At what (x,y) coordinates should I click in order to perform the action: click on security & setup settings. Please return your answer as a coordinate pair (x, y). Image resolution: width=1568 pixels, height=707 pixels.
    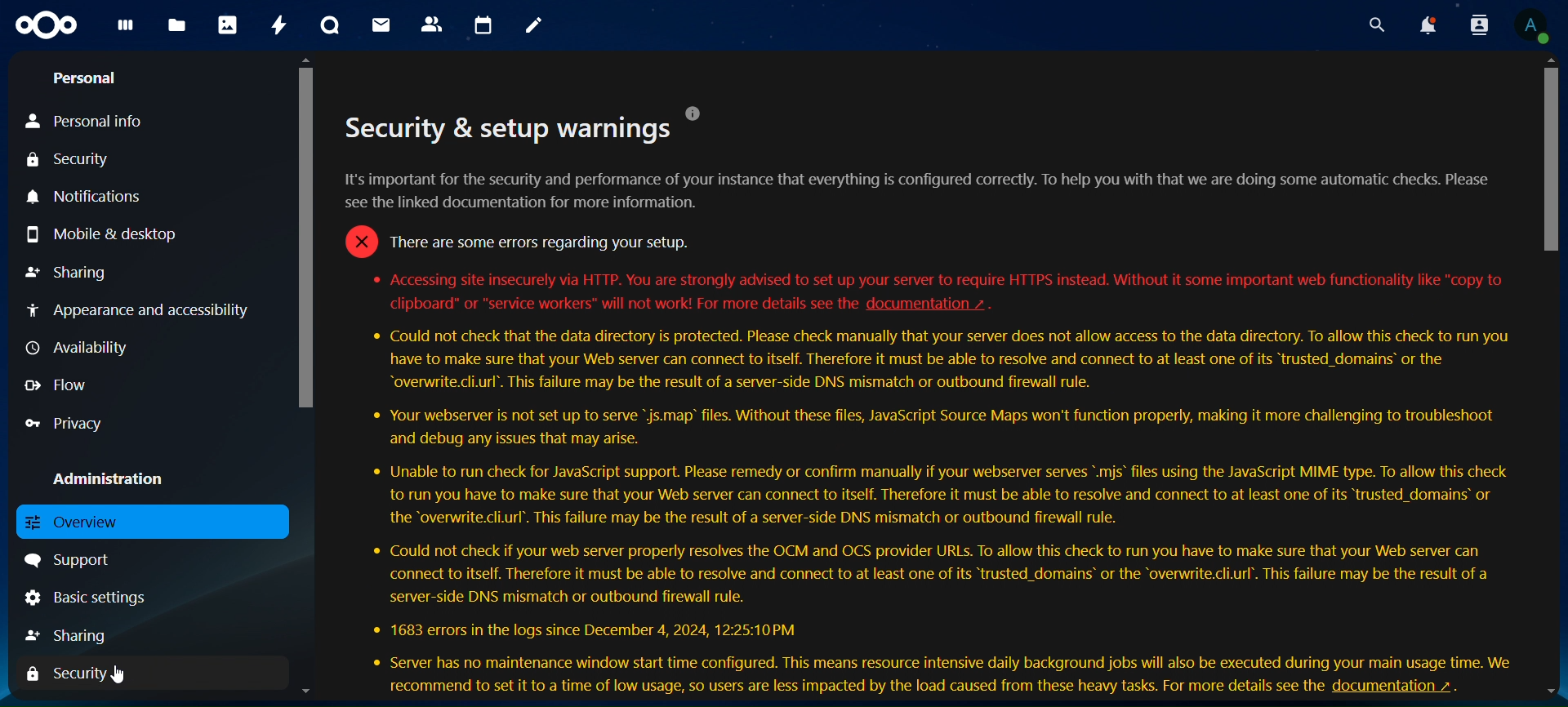
    Looking at the image, I should click on (924, 400).